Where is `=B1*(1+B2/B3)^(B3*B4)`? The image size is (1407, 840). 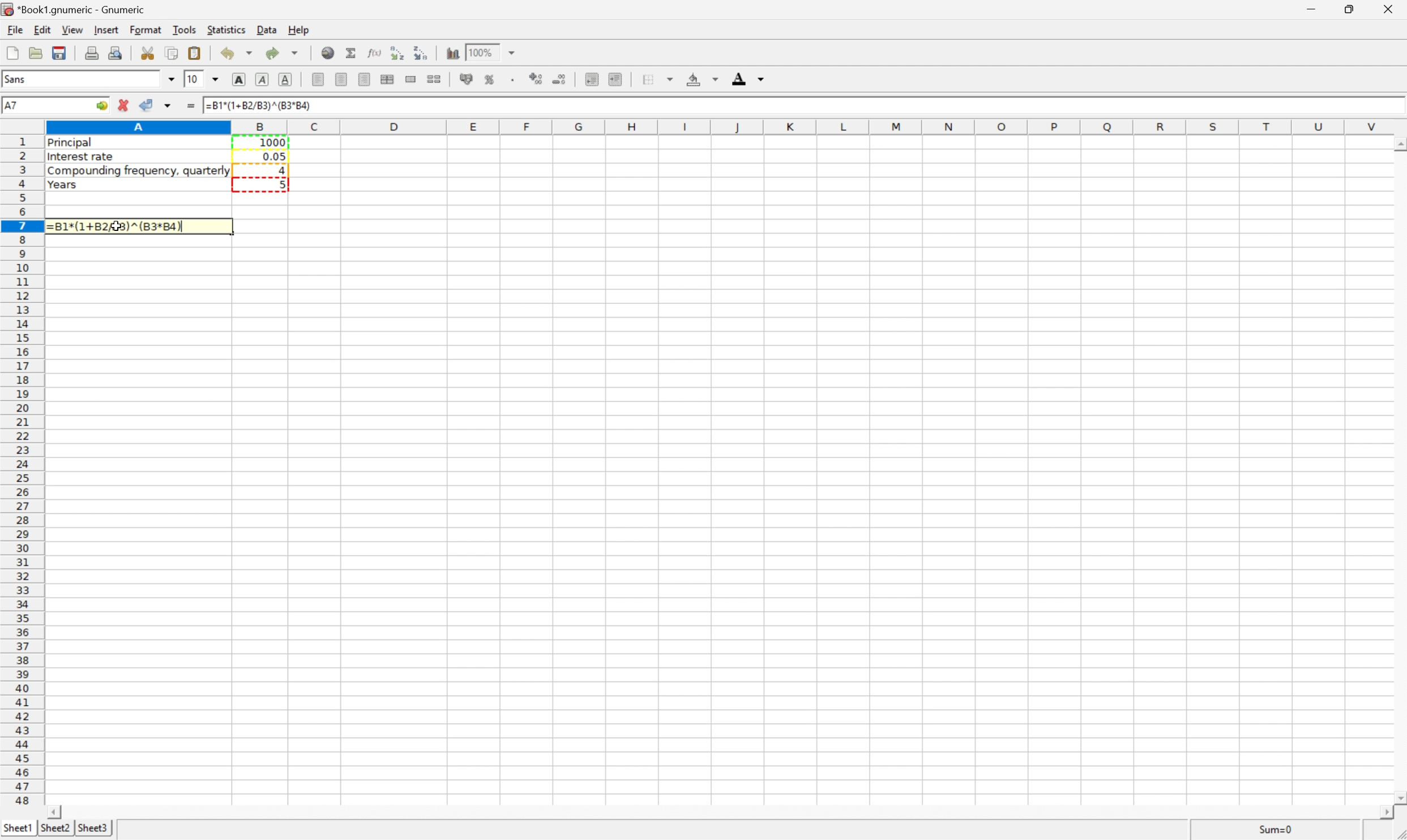
=B1*(1+B2/B3)^(B3*B4) is located at coordinates (259, 105).